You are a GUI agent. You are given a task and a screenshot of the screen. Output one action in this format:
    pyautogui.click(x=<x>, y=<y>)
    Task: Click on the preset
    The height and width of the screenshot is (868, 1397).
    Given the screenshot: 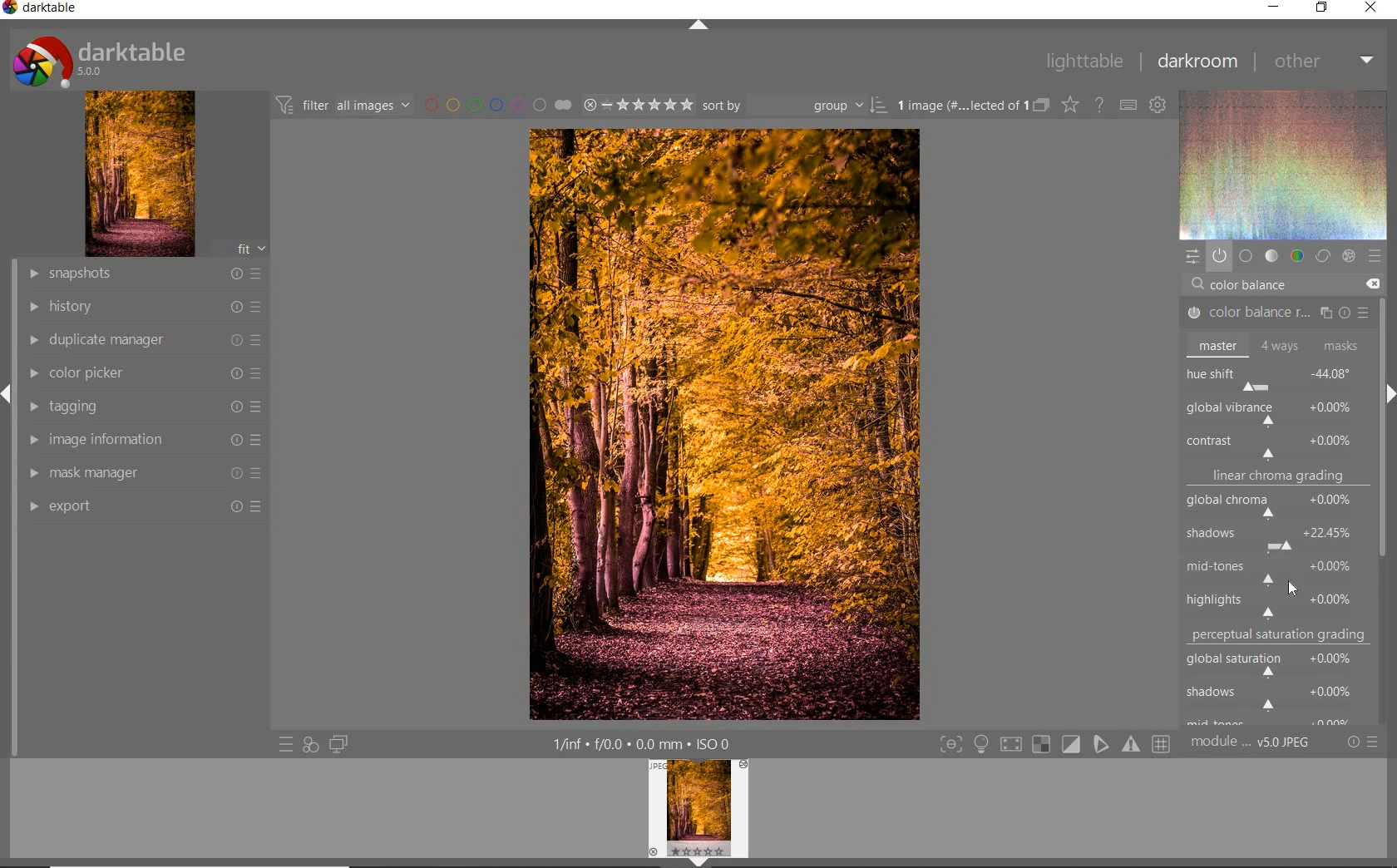 What is the action you would take?
    pyautogui.click(x=1374, y=255)
    